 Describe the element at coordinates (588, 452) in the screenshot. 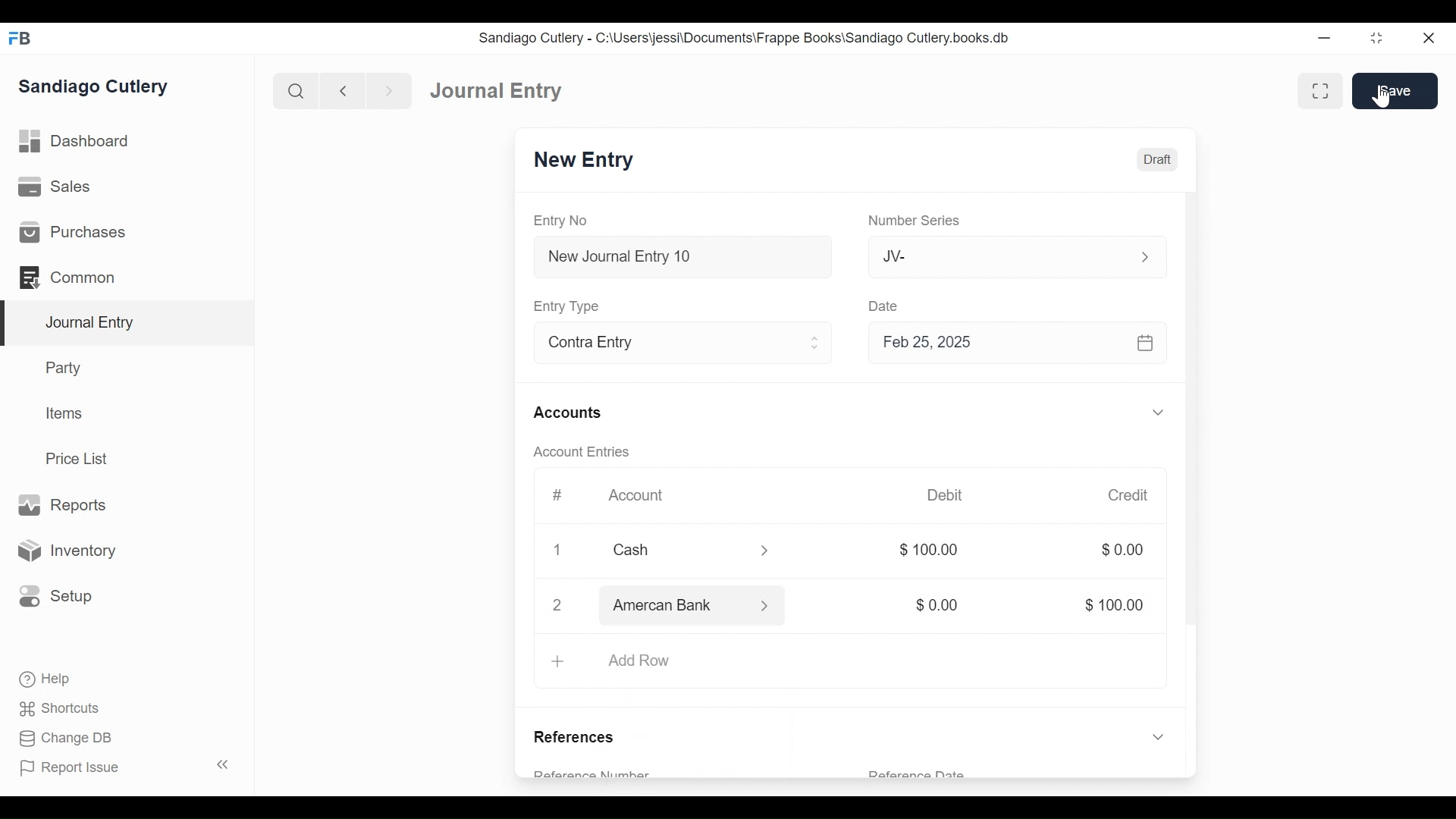

I see `Account Entries` at that location.